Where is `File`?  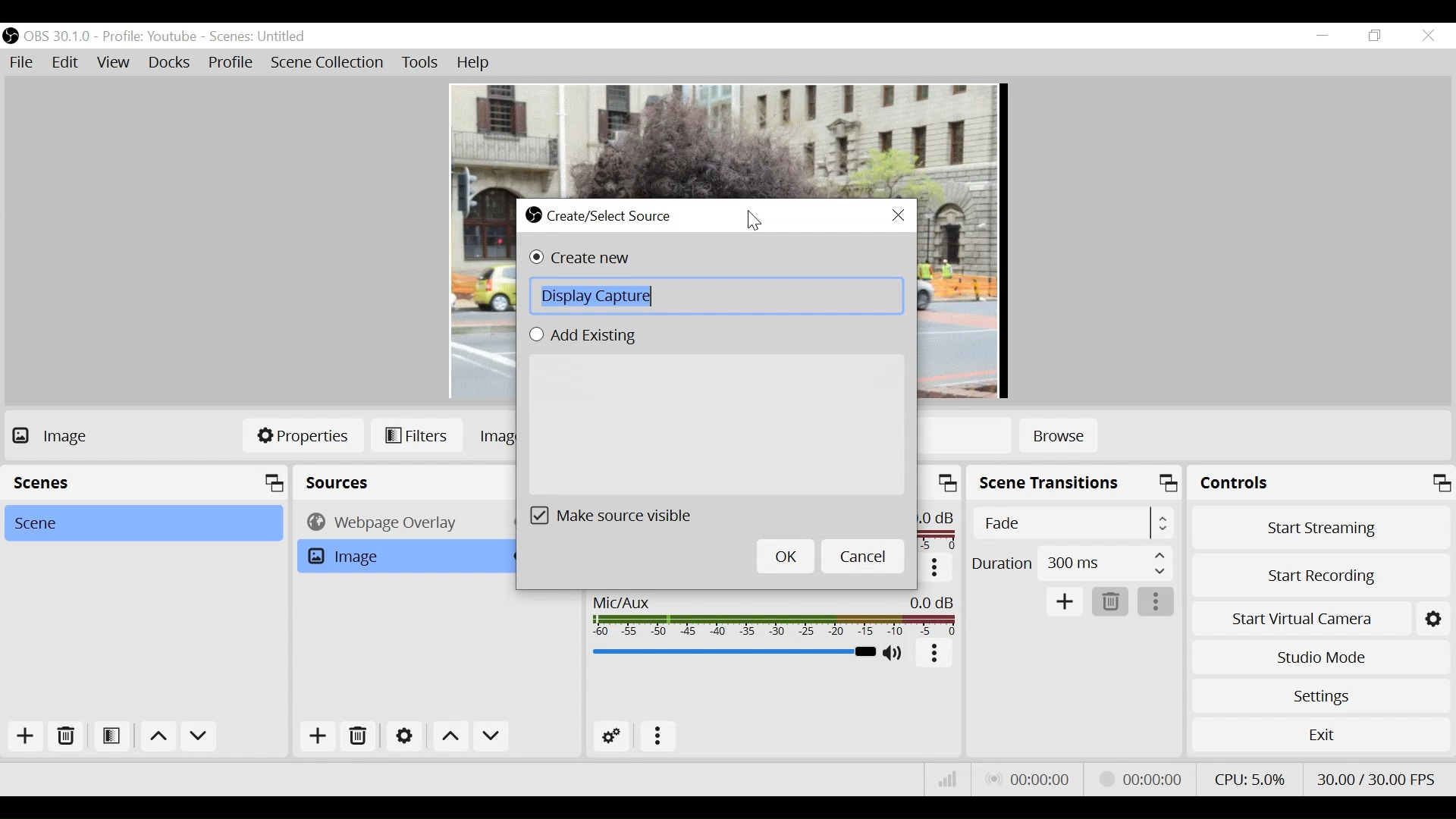 File is located at coordinates (22, 62).